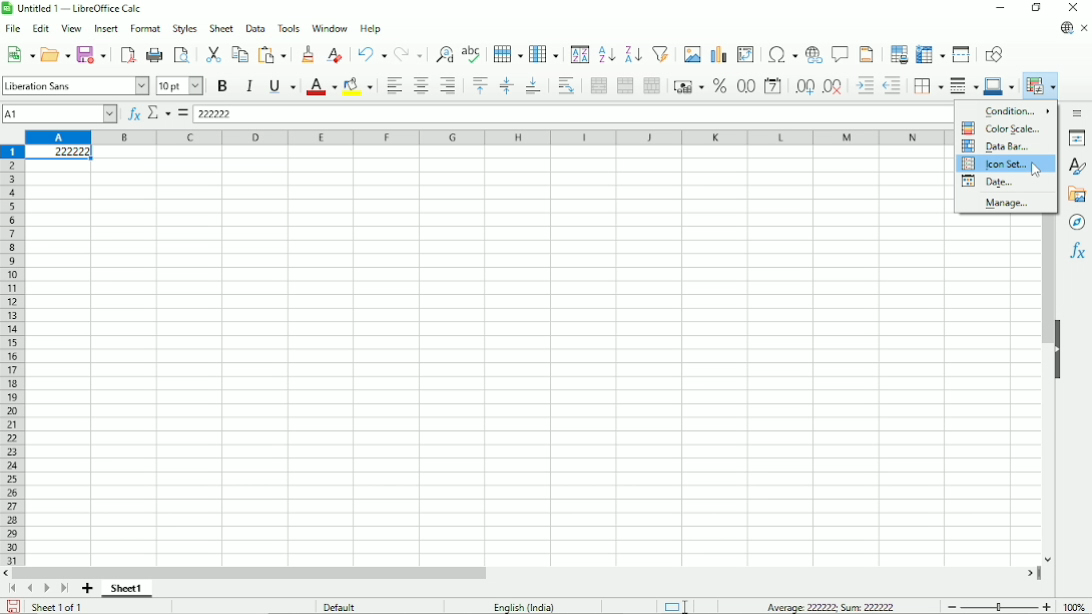 This screenshot has height=614, width=1092. I want to click on Language, so click(524, 606).